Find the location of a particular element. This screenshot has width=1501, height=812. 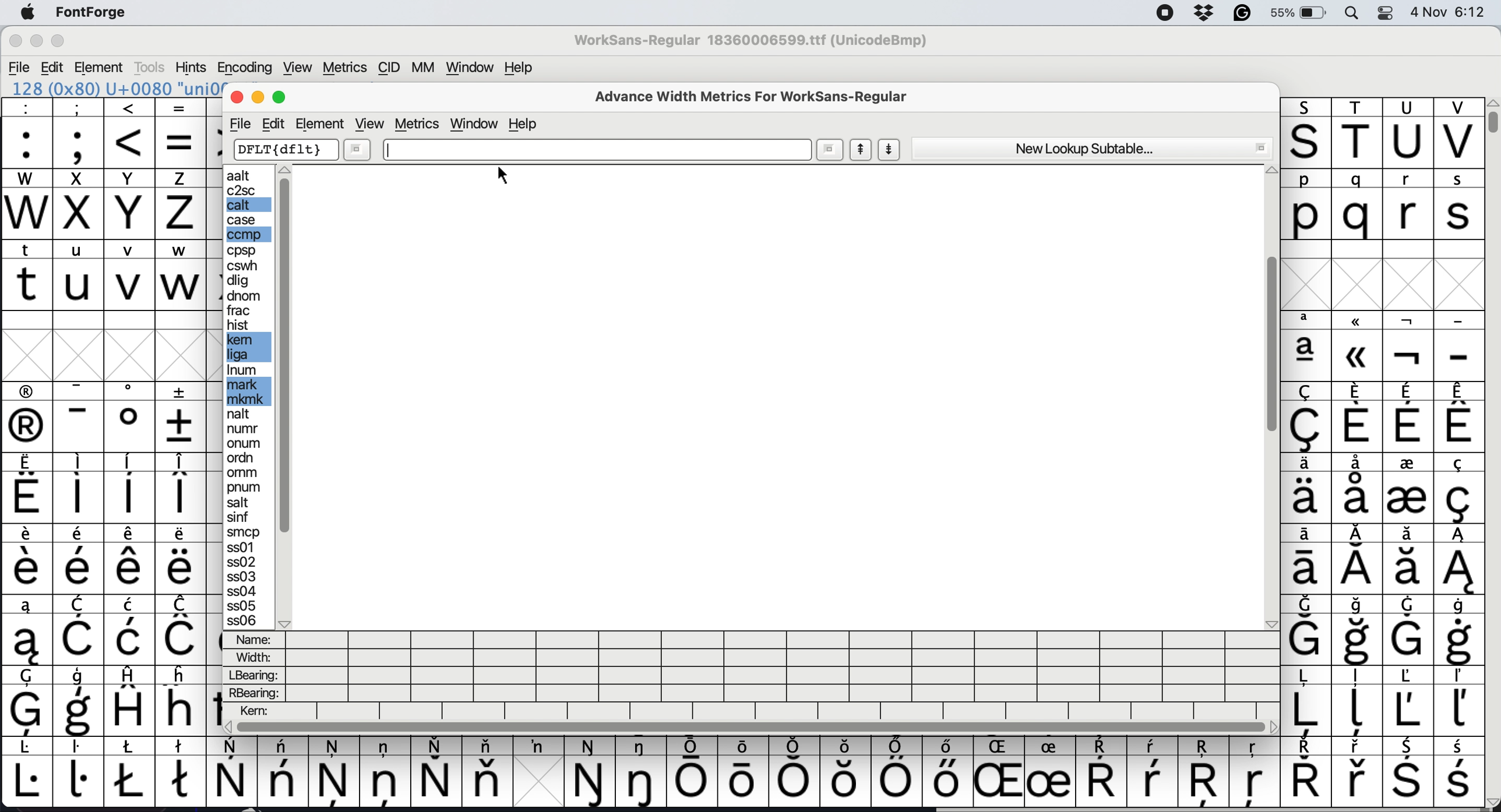

Tools is located at coordinates (147, 68).